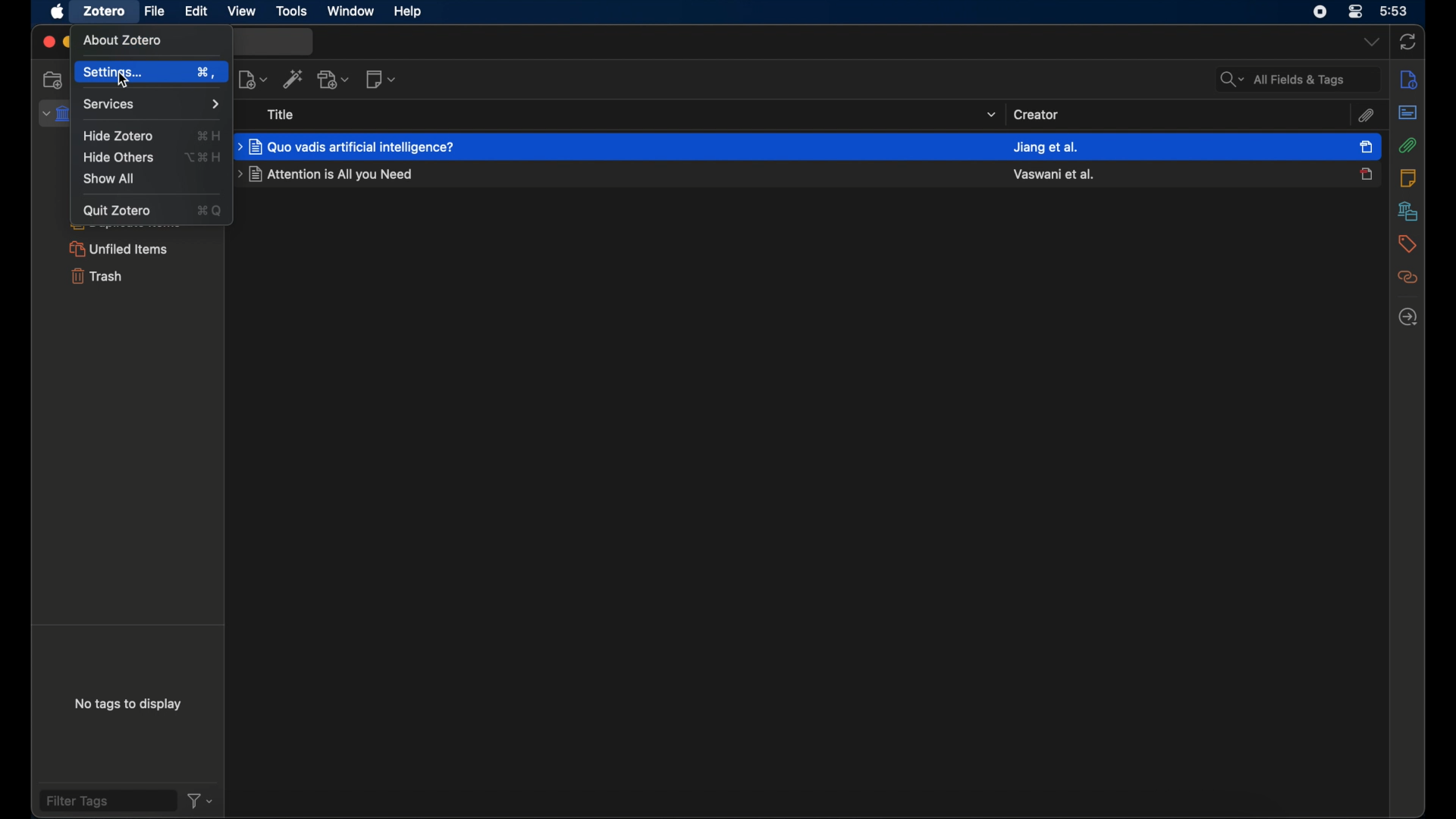  I want to click on new collection, so click(52, 80).